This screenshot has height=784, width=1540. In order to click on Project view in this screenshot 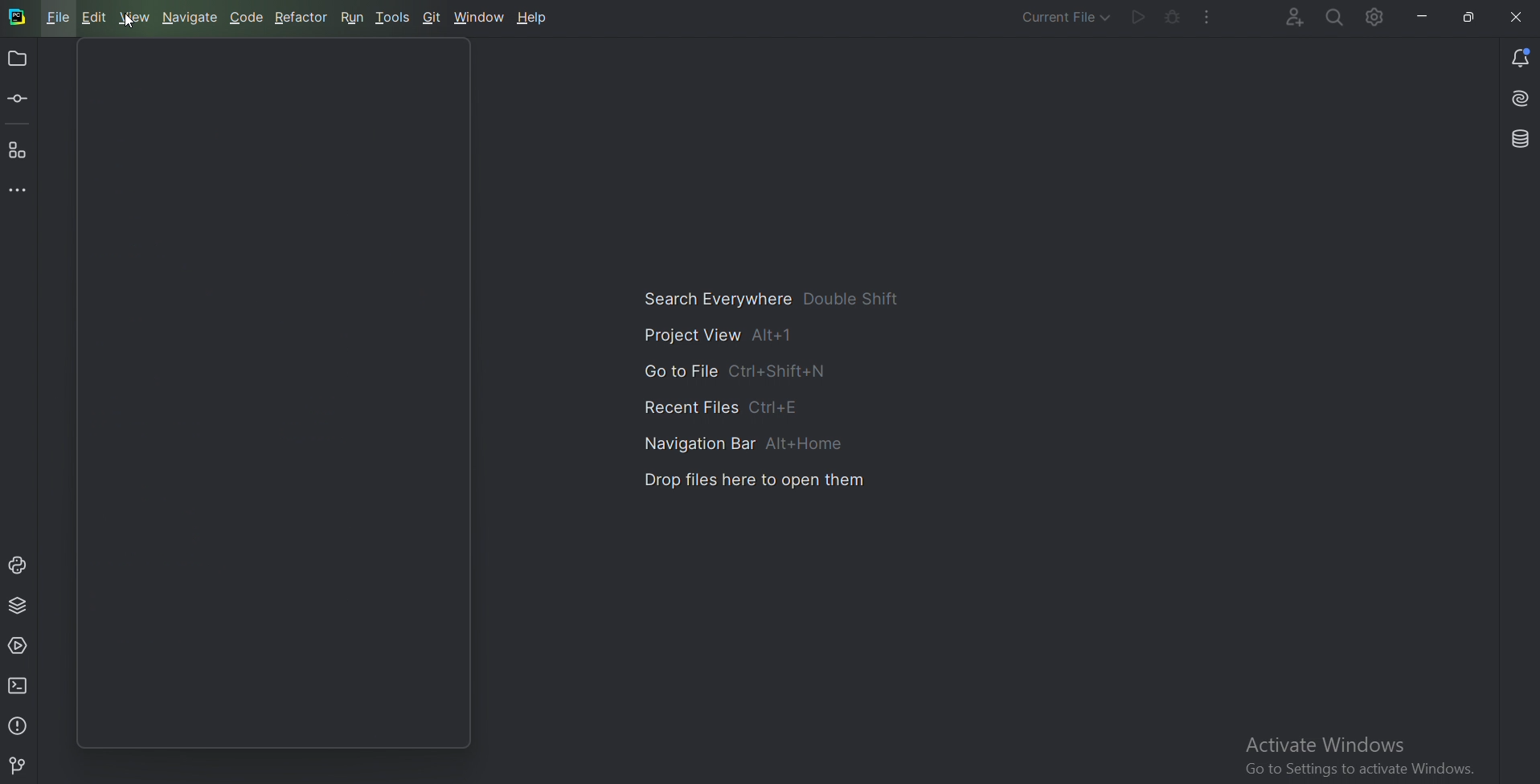, I will do `click(719, 337)`.